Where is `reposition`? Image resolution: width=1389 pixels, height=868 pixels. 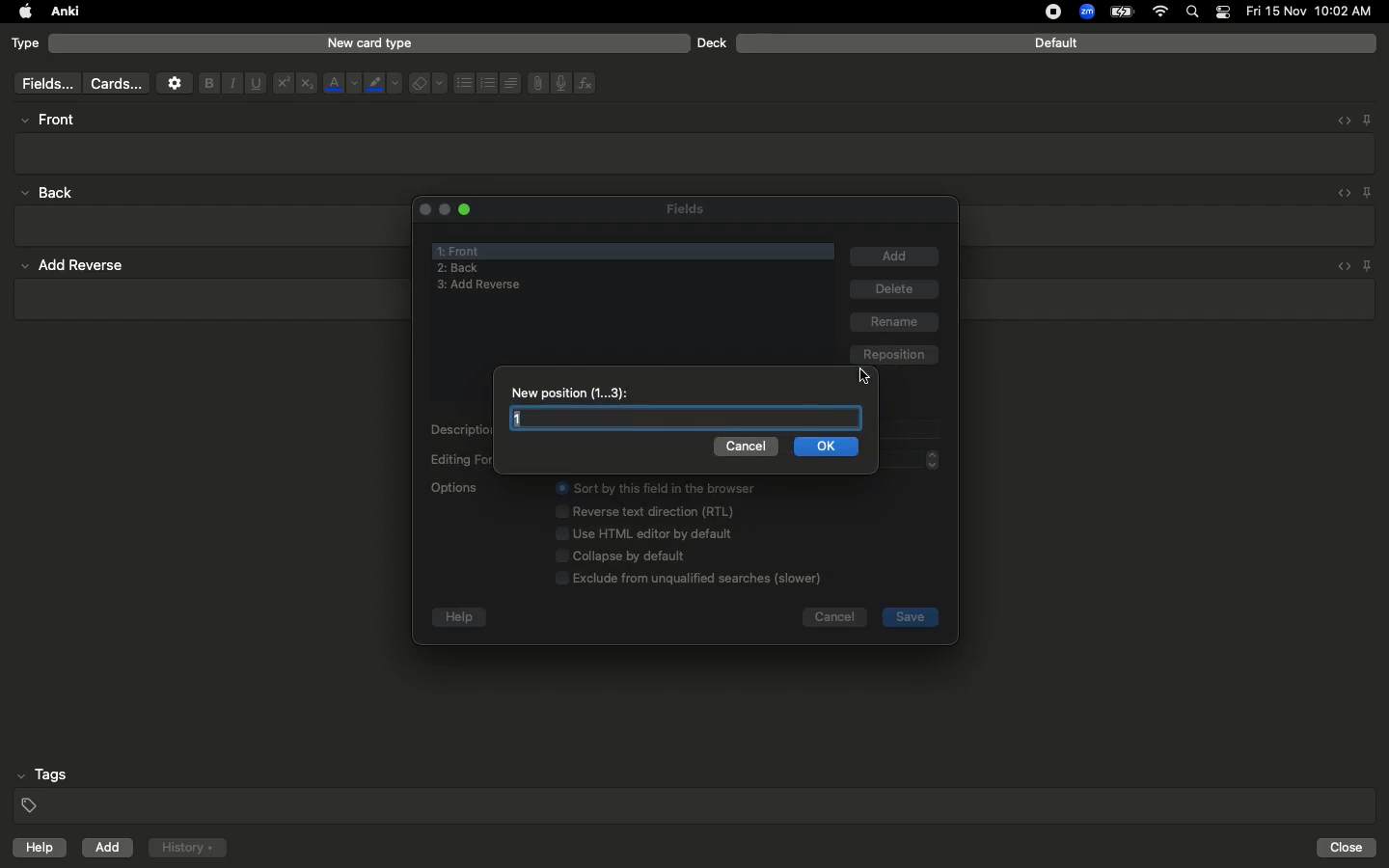
reposition is located at coordinates (894, 353).